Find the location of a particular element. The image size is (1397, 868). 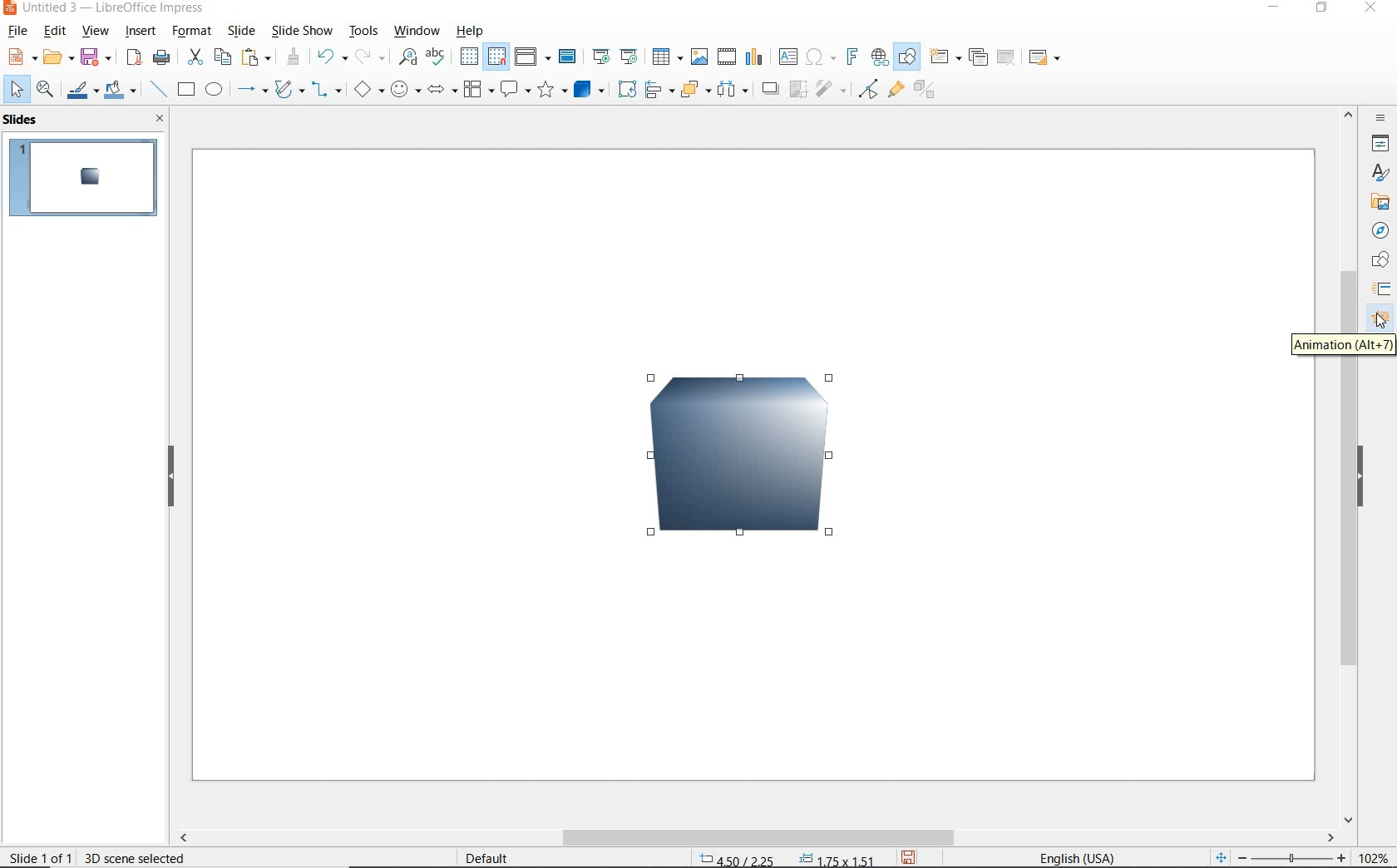

slide is located at coordinates (240, 31).